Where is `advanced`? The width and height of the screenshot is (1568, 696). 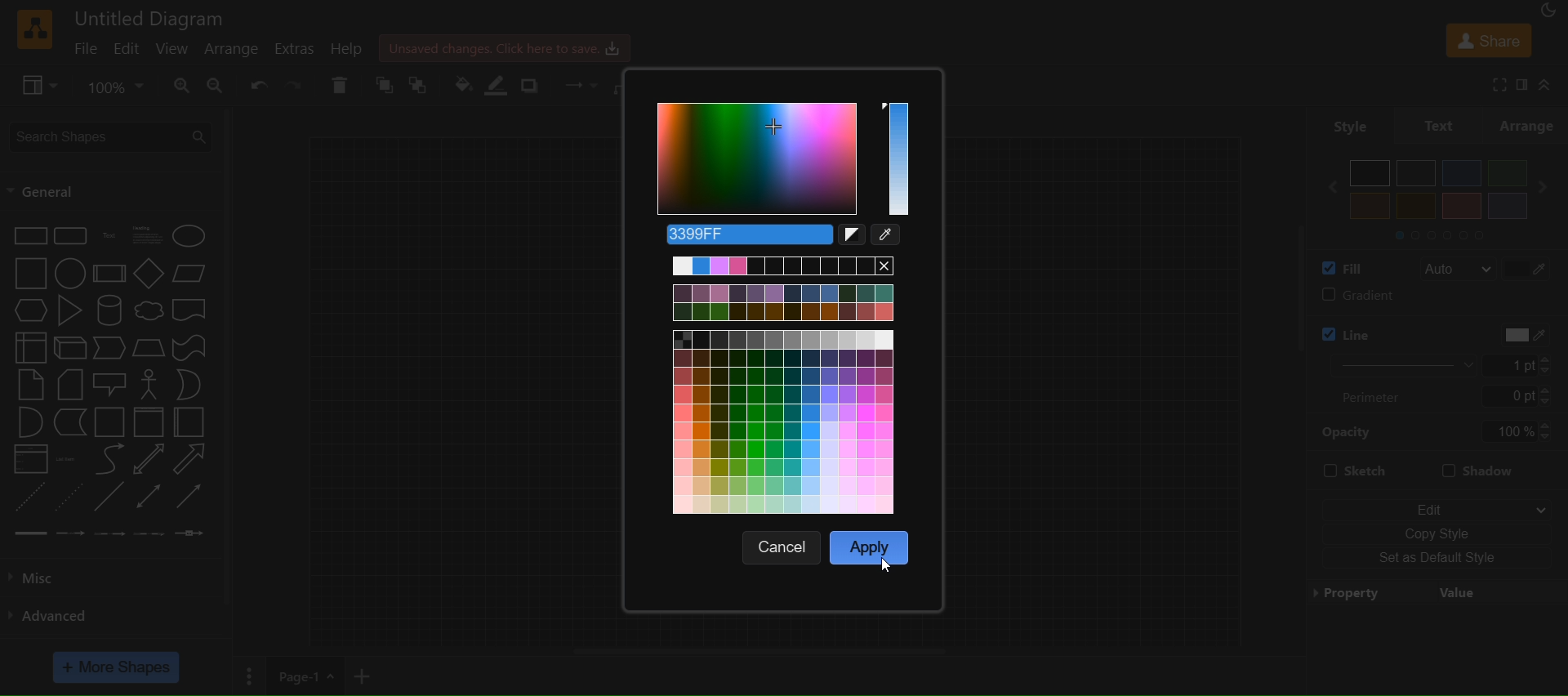 advanced is located at coordinates (57, 613).